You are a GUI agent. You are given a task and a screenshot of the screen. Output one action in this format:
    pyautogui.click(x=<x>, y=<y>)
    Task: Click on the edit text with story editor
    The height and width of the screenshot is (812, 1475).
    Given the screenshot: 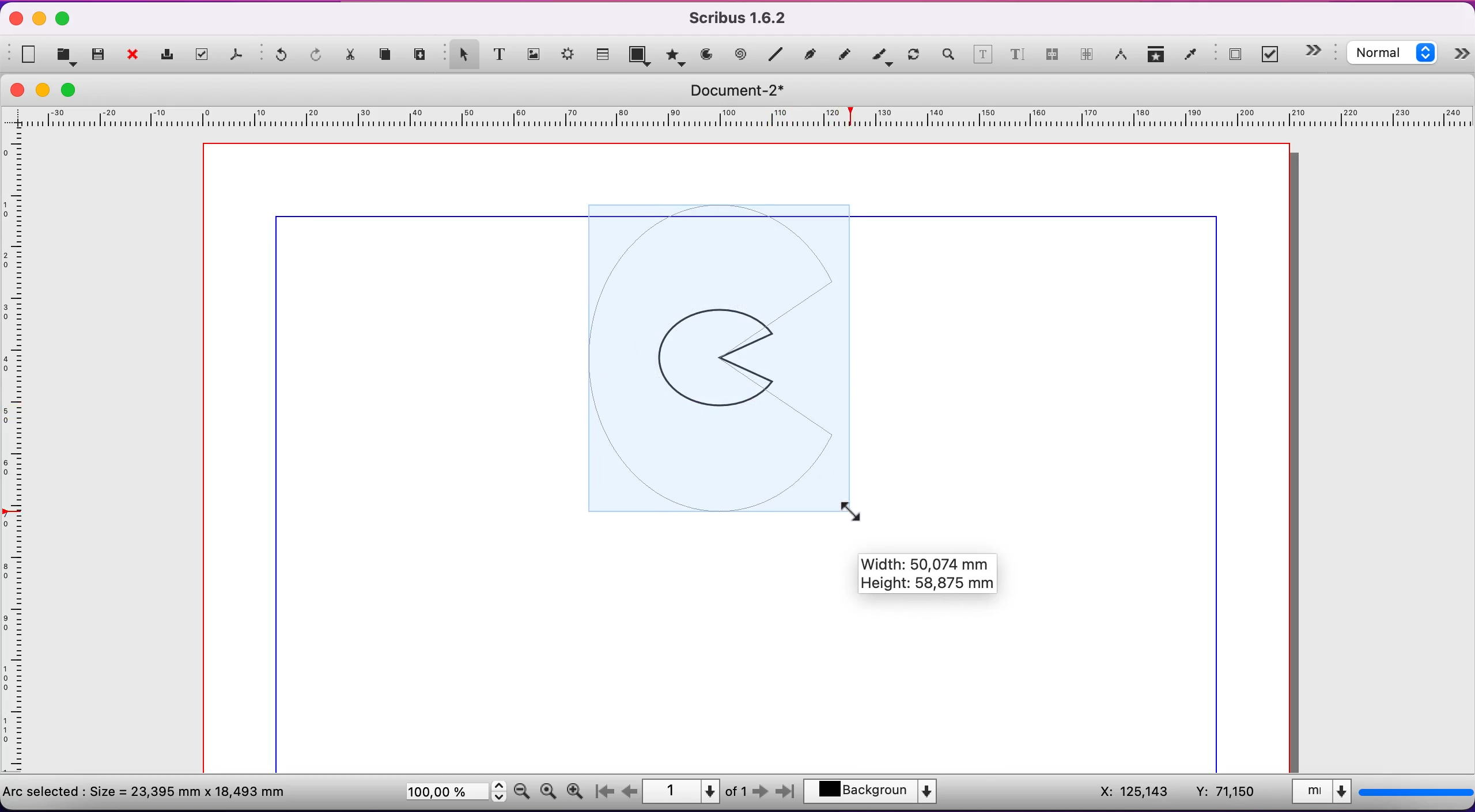 What is the action you would take?
    pyautogui.click(x=1017, y=59)
    